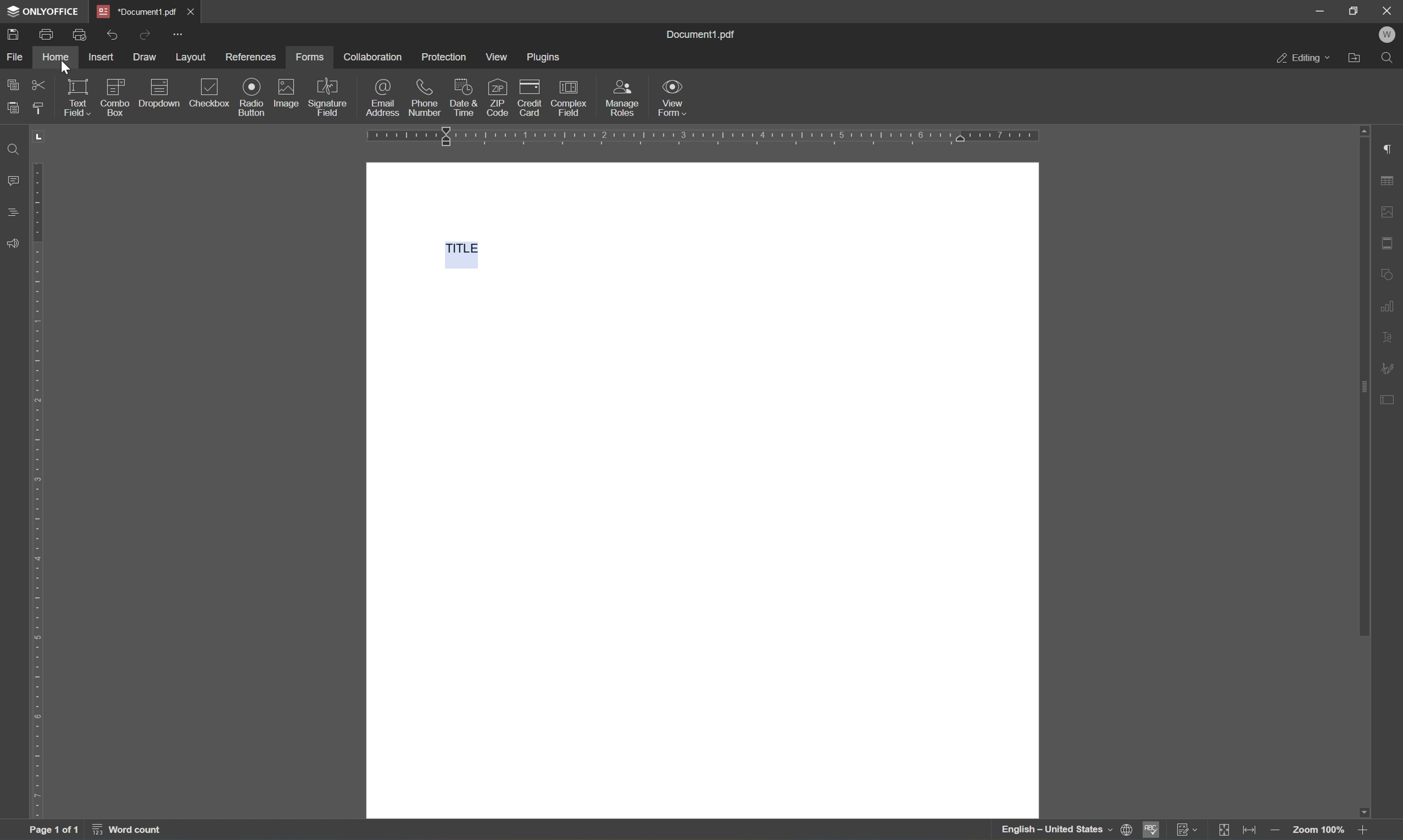  I want to click on paste, so click(17, 109).